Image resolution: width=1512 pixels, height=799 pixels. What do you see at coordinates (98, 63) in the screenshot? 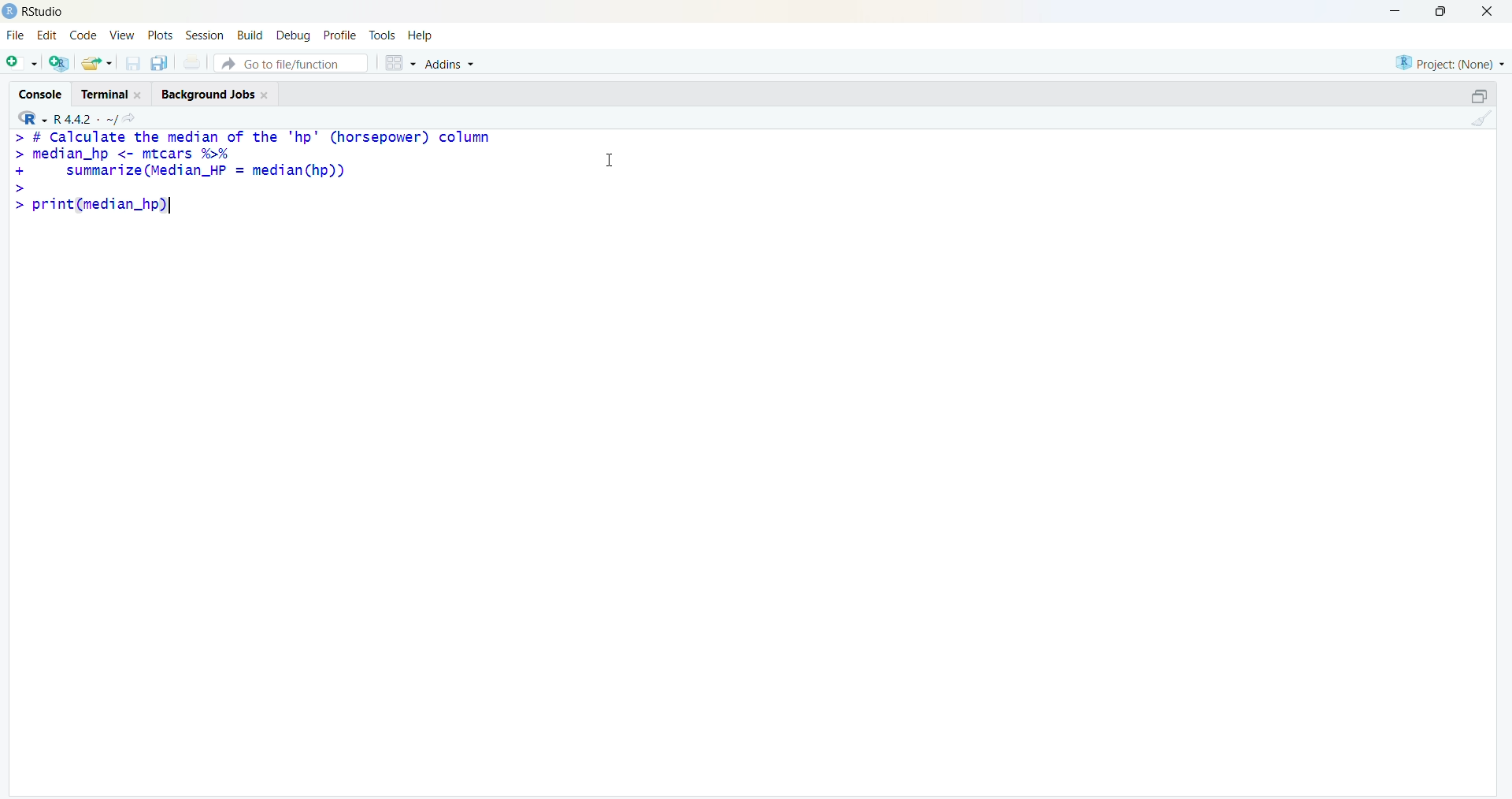
I see `share folder as` at bounding box center [98, 63].